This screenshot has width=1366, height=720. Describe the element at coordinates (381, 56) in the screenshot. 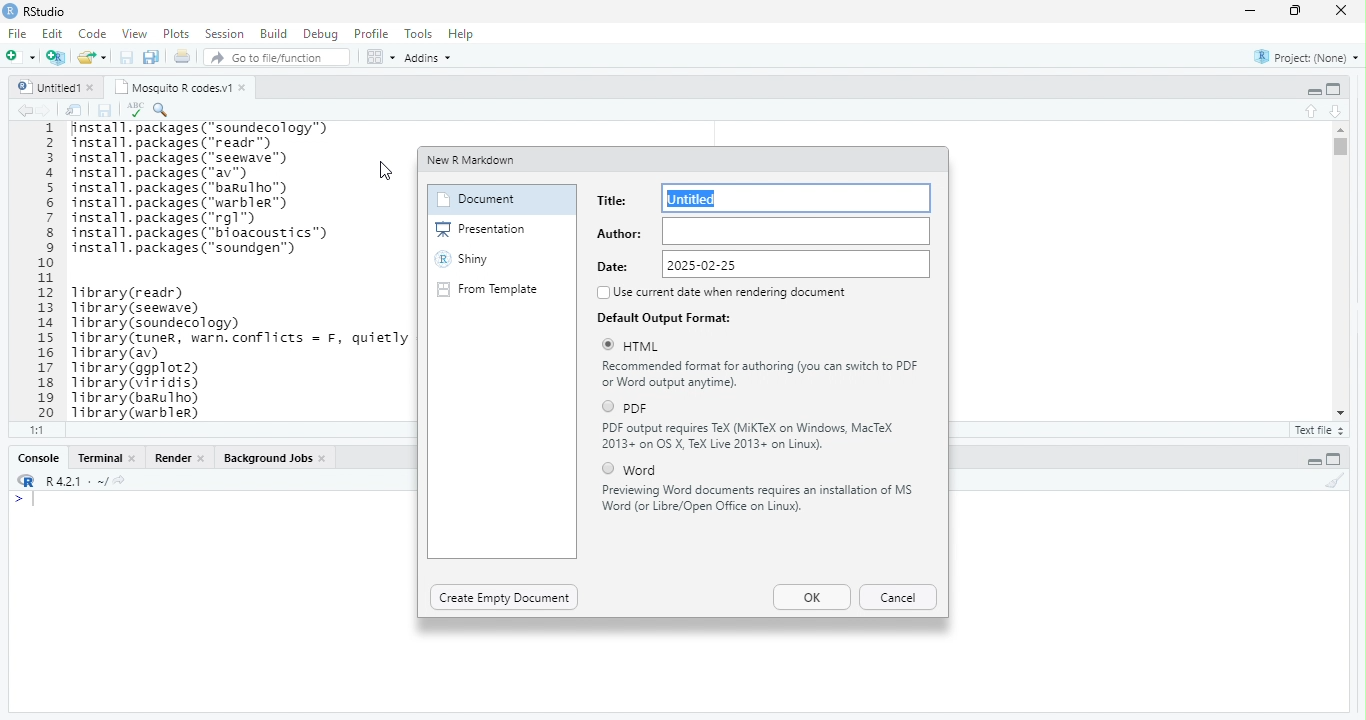

I see `grid` at that location.